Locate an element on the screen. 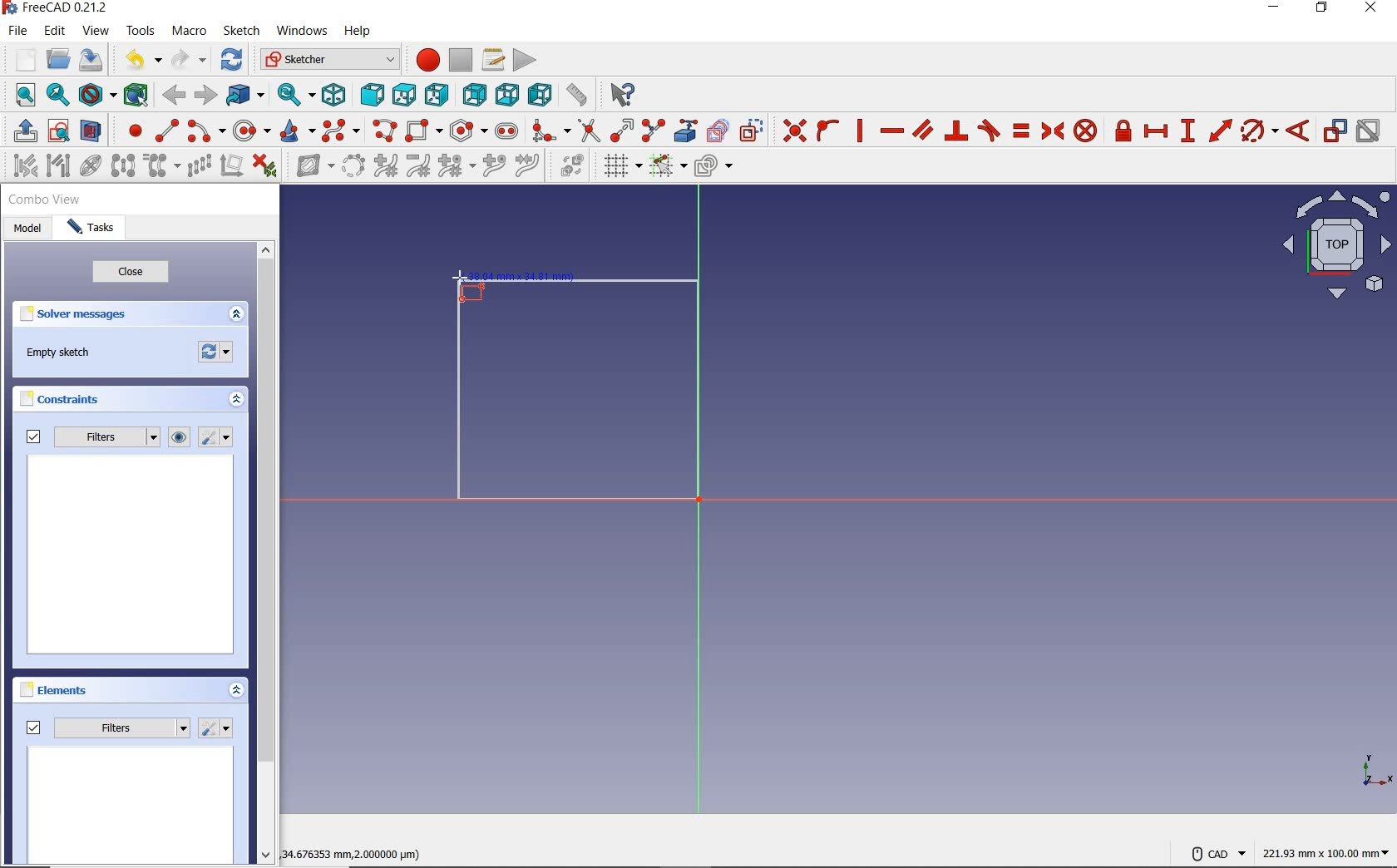 The height and width of the screenshot is (868, 1397). toggle construction geometry is located at coordinates (751, 129).